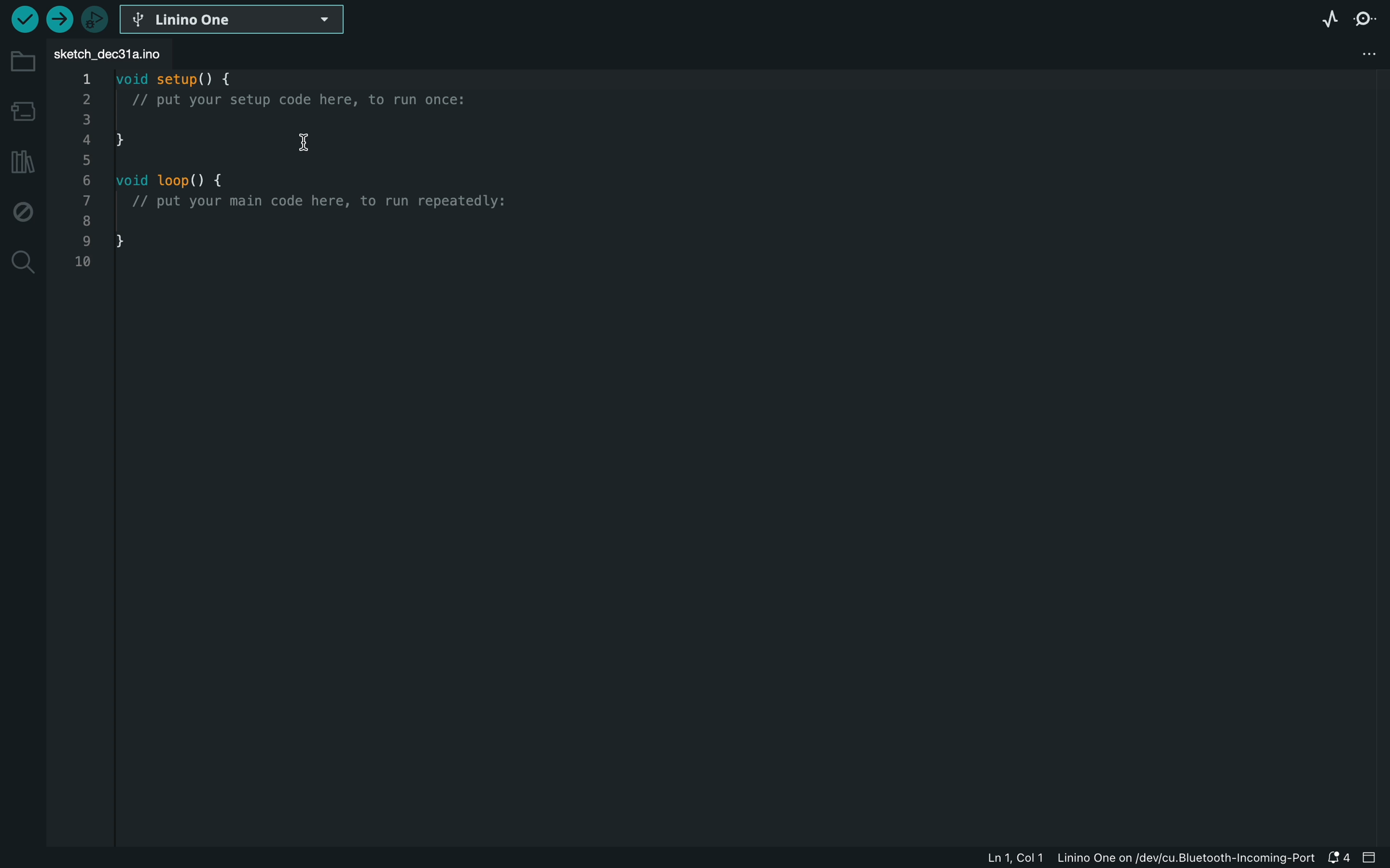  What do you see at coordinates (60, 23) in the screenshot?
I see `verify` at bounding box center [60, 23].